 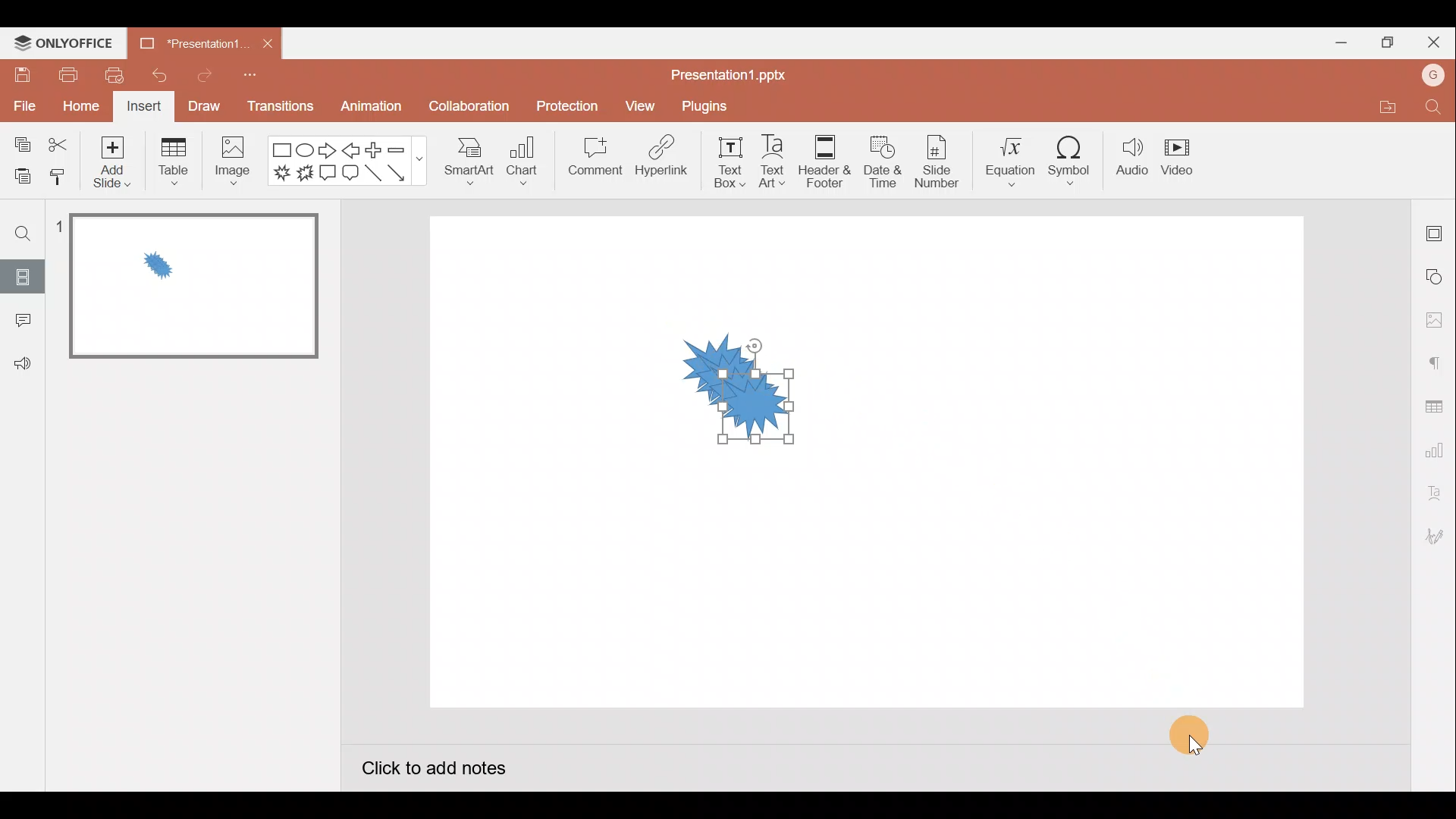 I want to click on Collaboration, so click(x=466, y=106).